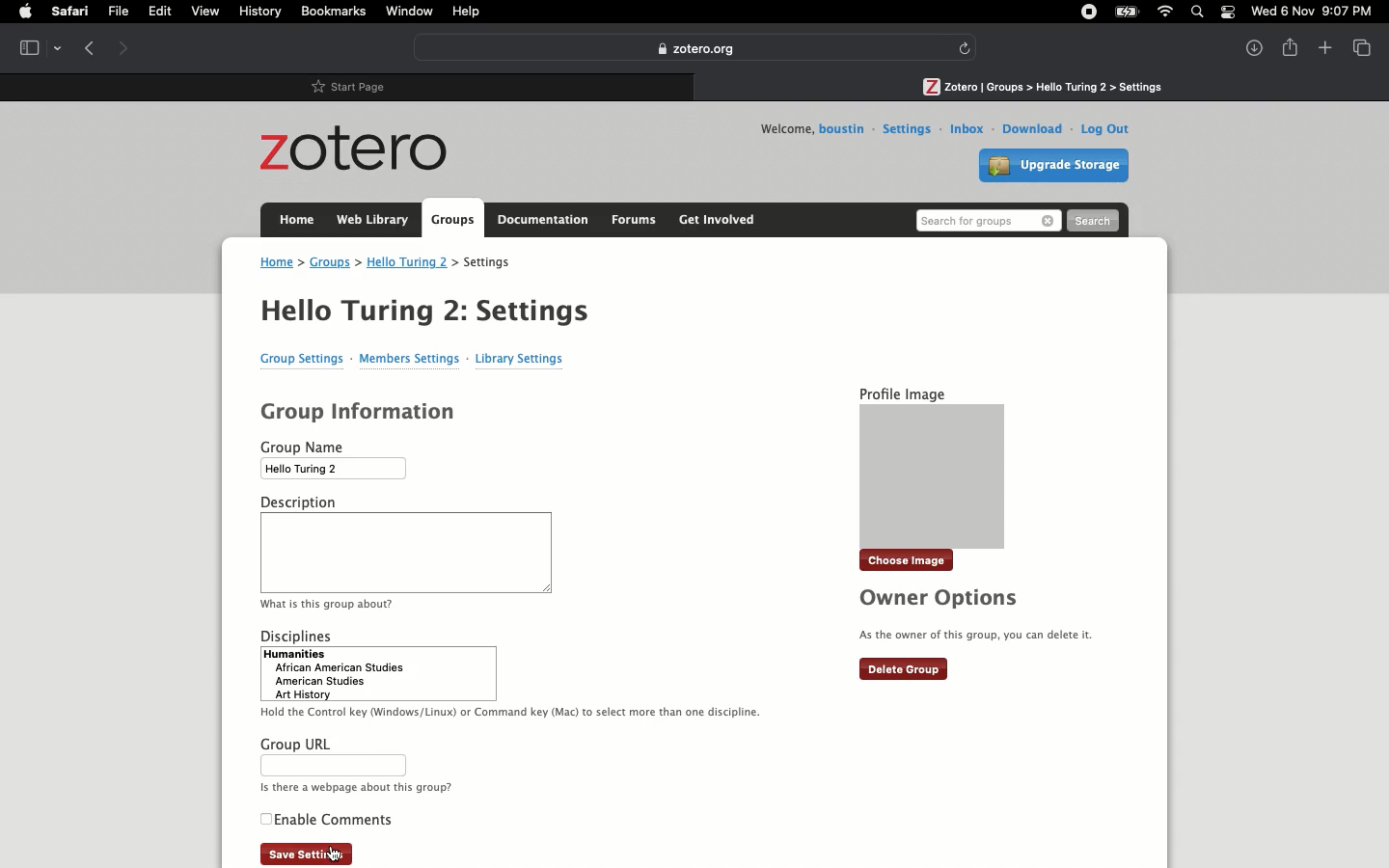 The height and width of the screenshot is (868, 1389). Describe the element at coordinates (360, 150) in the screenshot. I see `Zotero` at that location.